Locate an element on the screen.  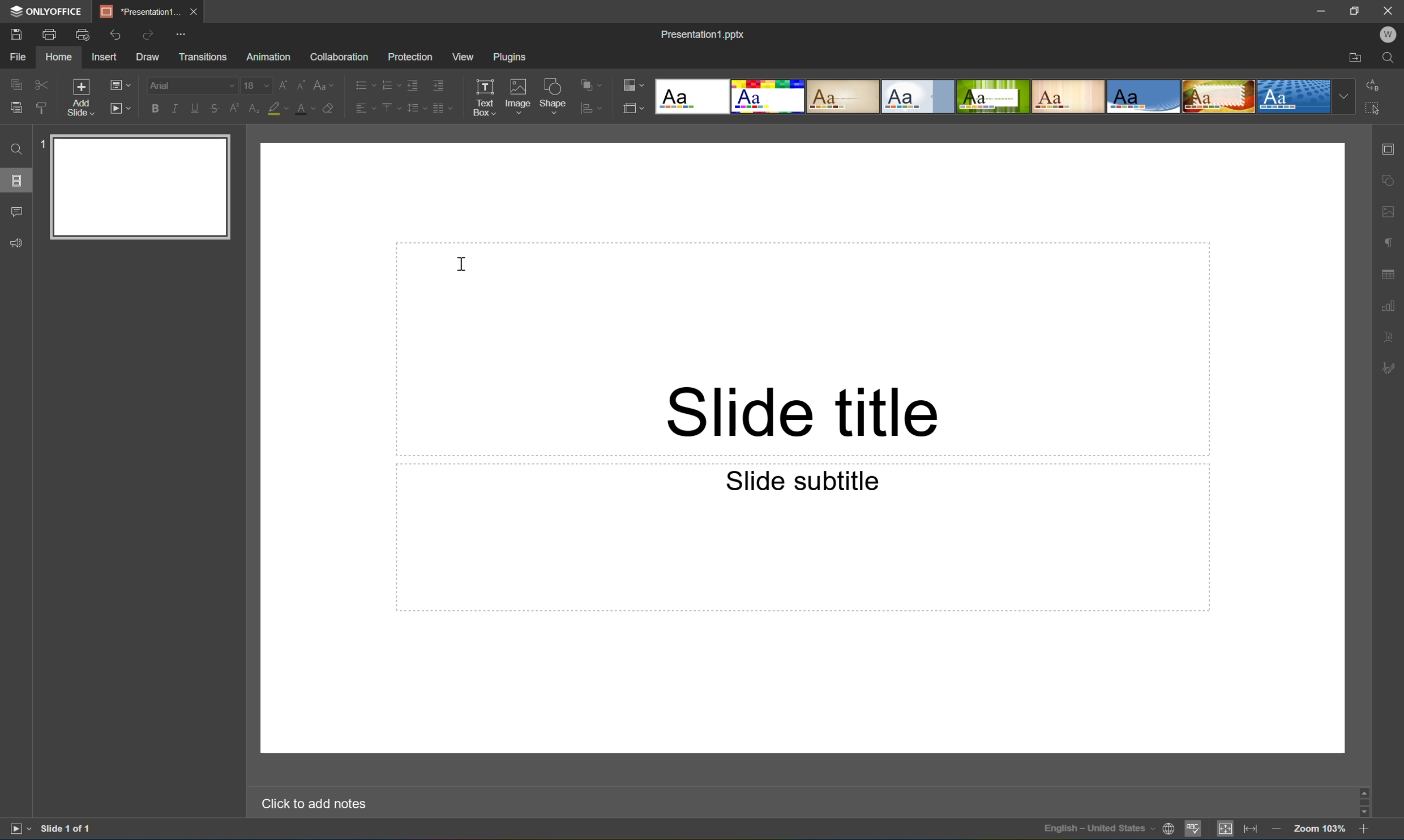
Replace is located at coordinates (1375, 84).